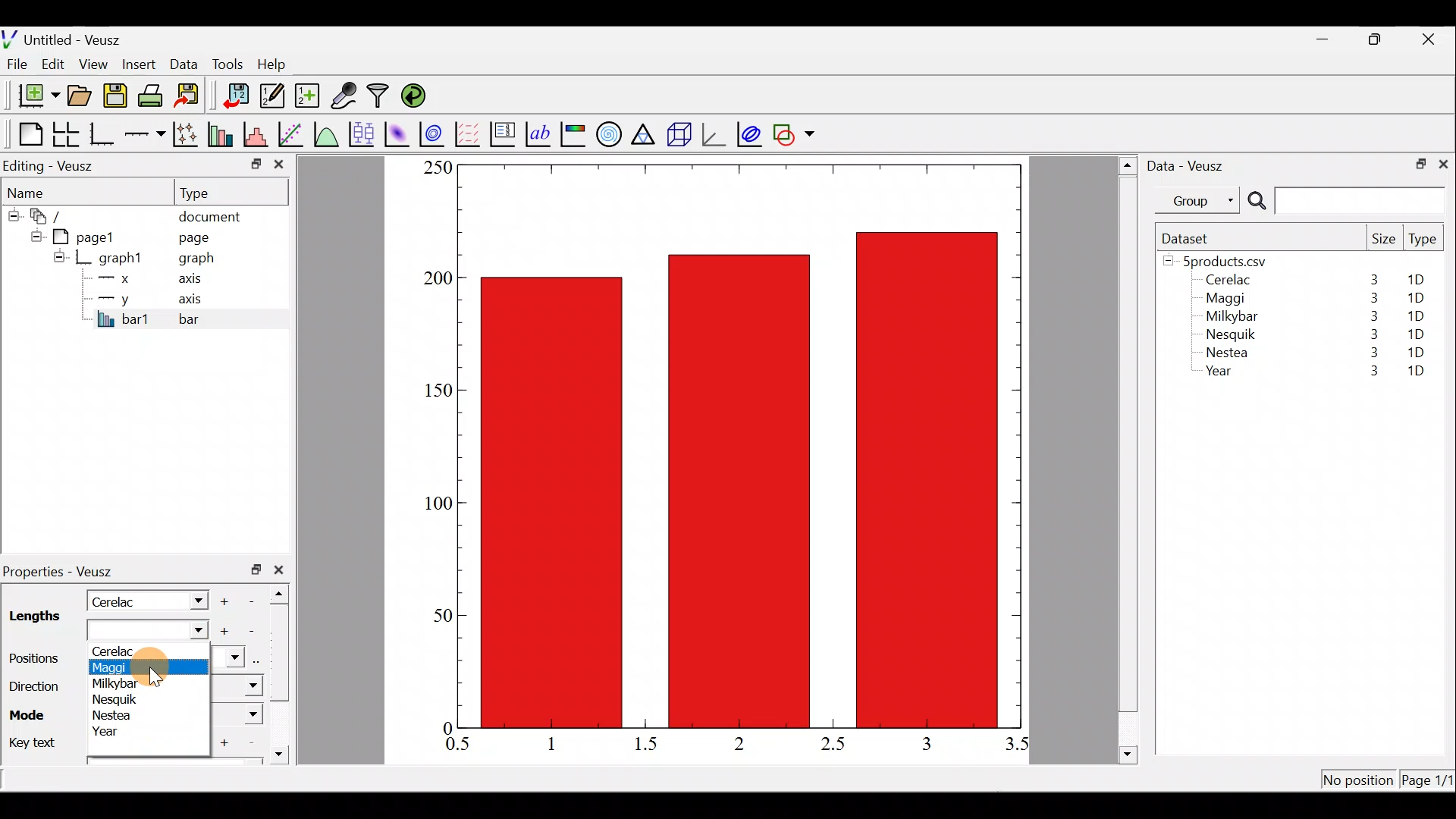 The height and width of the screenshot is (819, 1456). Describe the element at coordinates (250, 743) in the screenshot. I see `Remove item` at that location.